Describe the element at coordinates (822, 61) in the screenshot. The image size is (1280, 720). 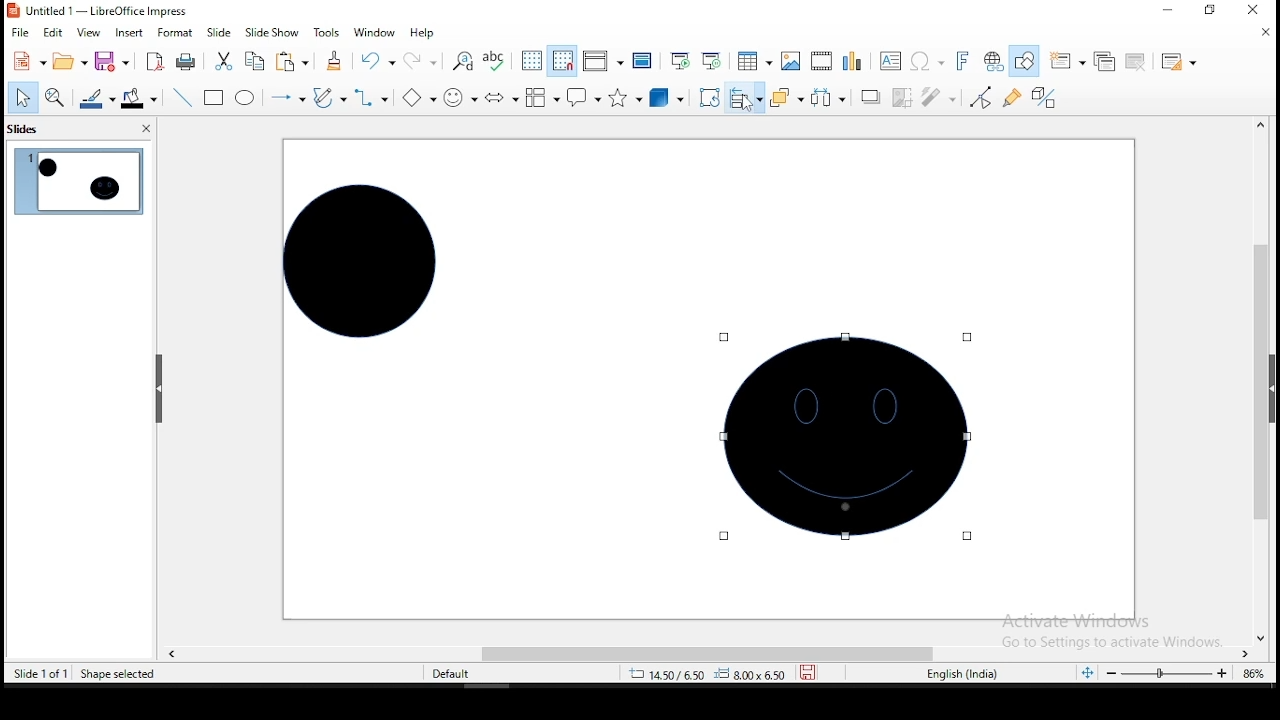
I see `insert video` at that location.